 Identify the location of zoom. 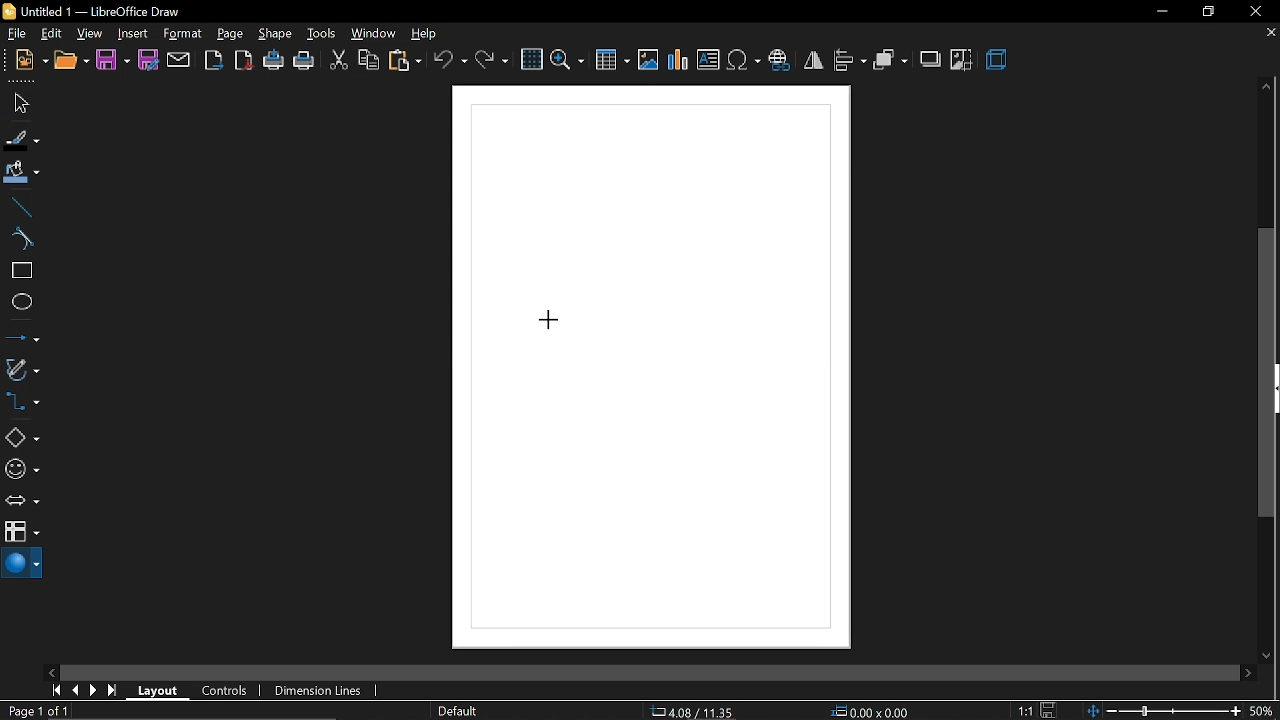
(567, 59).